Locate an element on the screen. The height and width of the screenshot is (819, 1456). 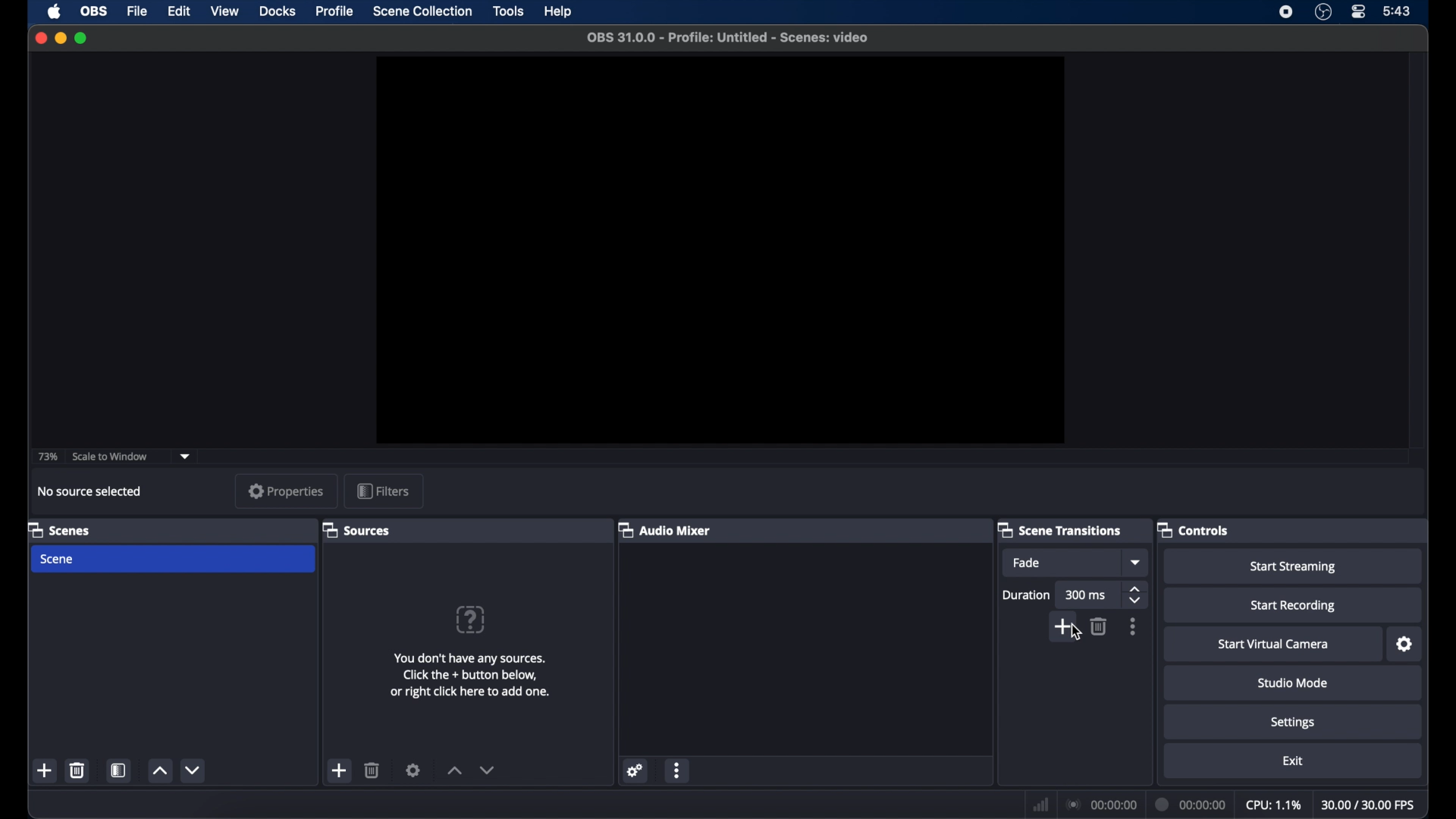
decrement is located at coordinates (193, 771).